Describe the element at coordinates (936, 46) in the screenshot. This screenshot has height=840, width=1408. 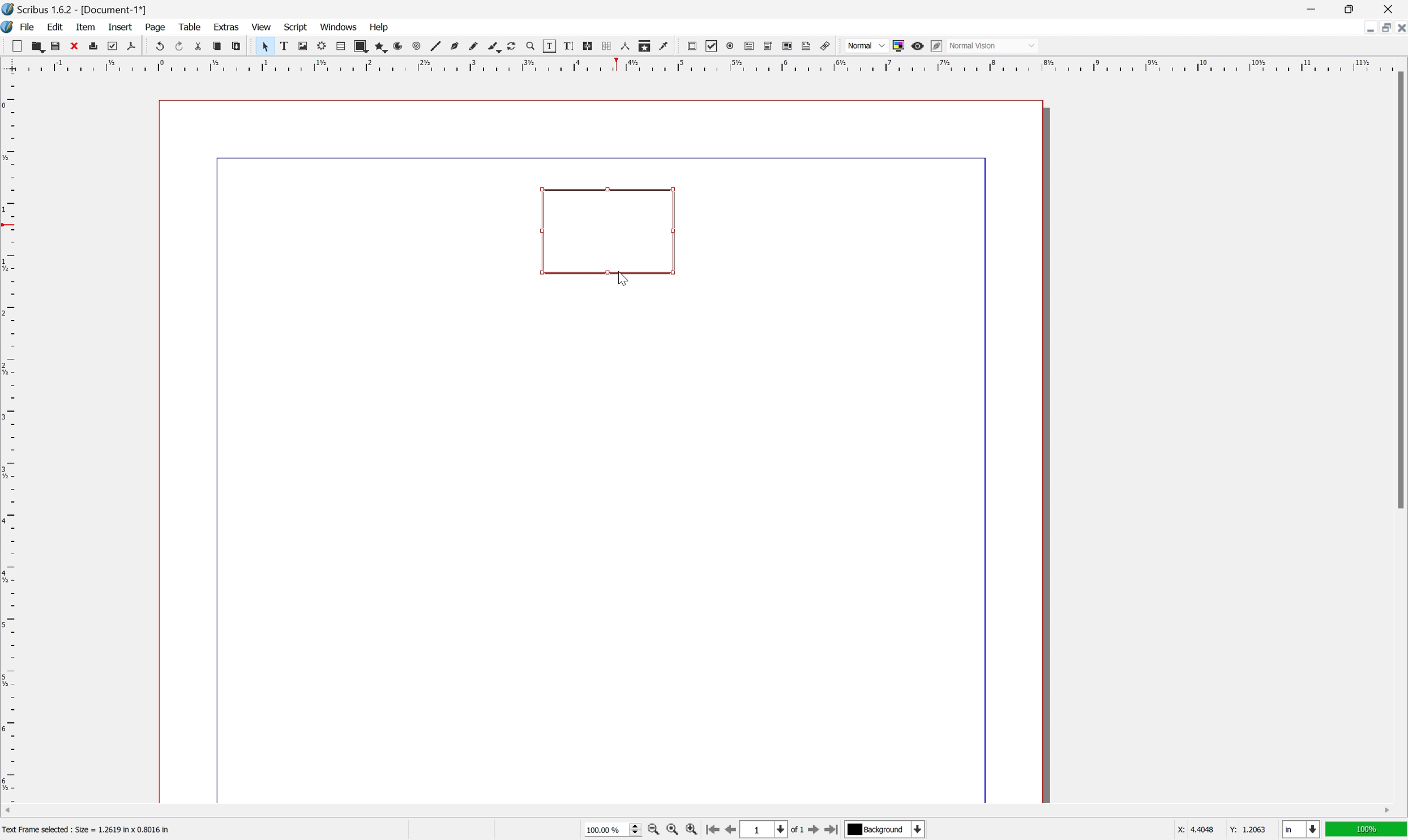
I see `Edit in preview mode` at that location.